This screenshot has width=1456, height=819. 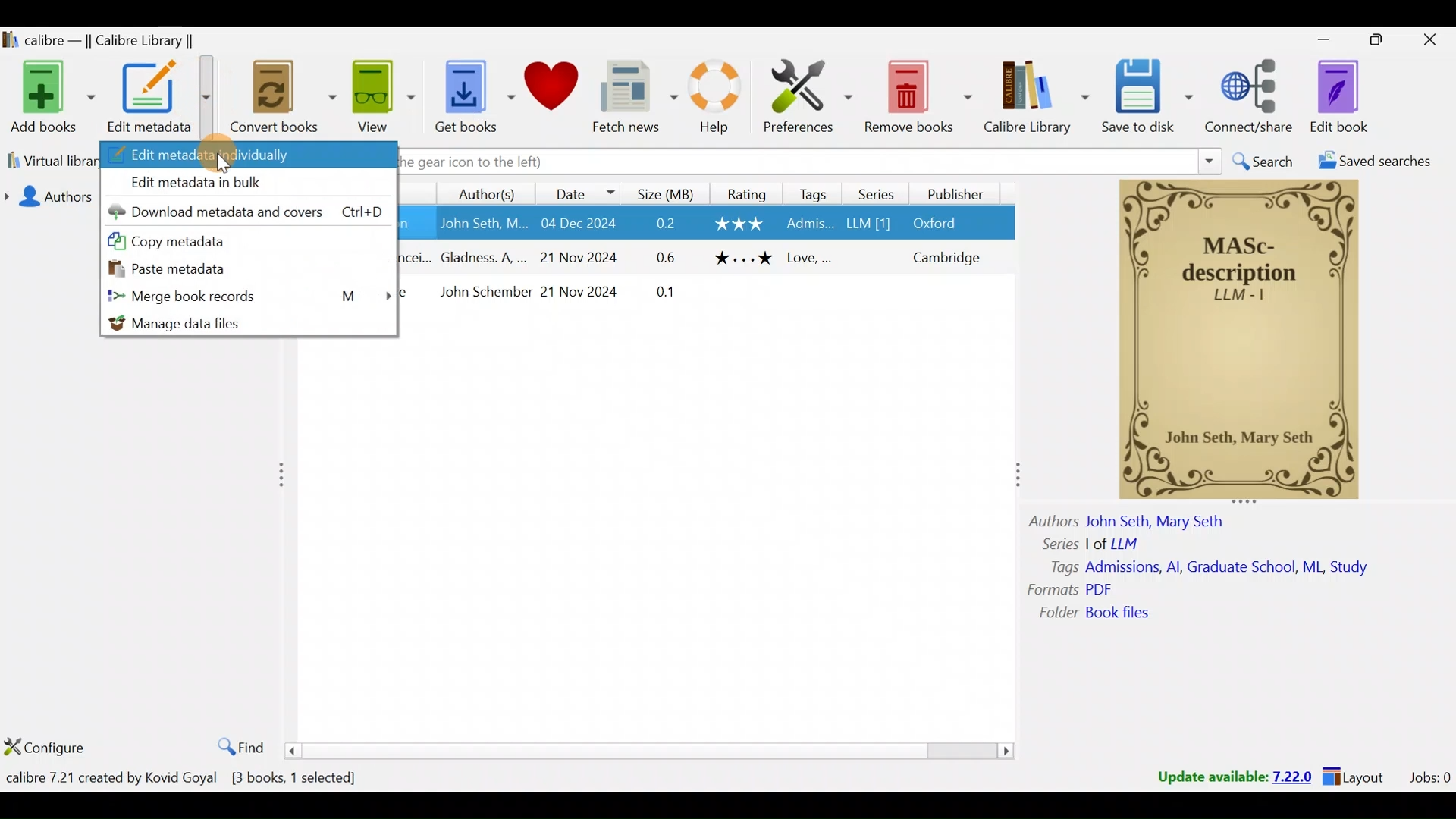 I want to click on , so click(x=812, y=257).